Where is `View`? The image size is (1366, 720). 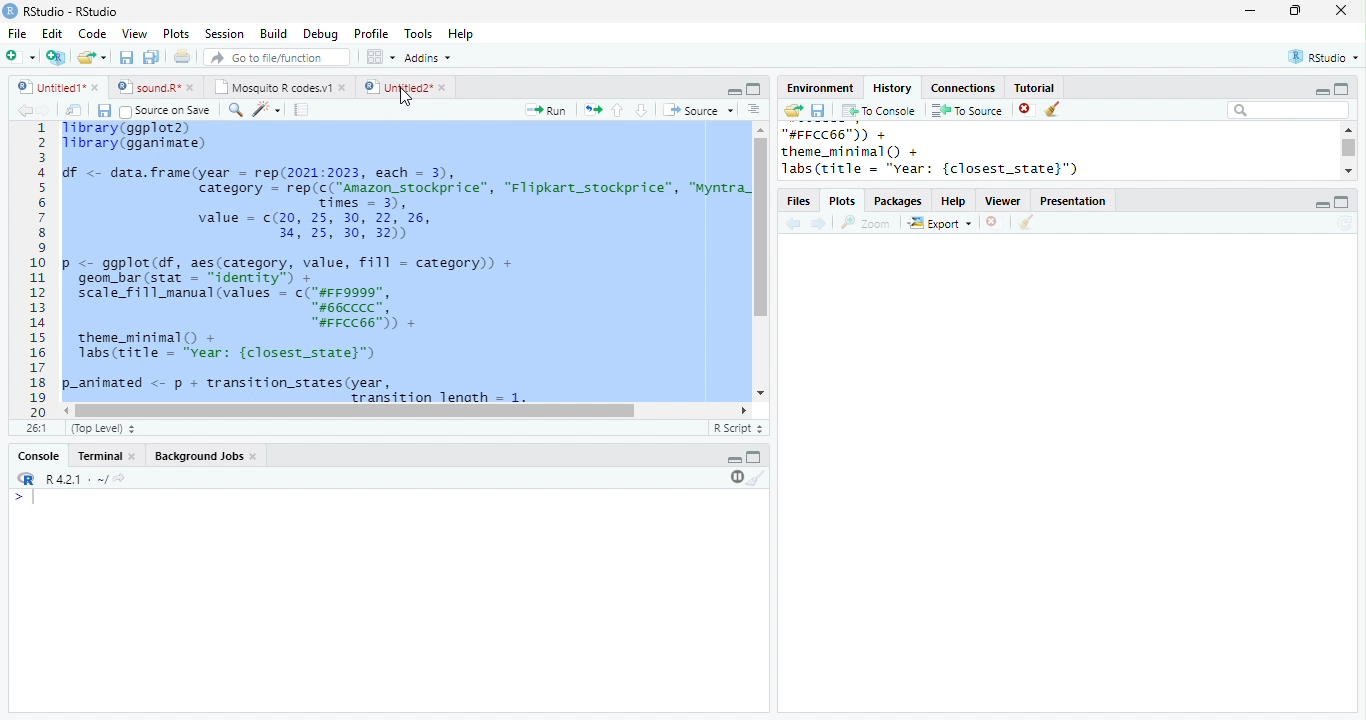 View is located at coordinates (135, 33).